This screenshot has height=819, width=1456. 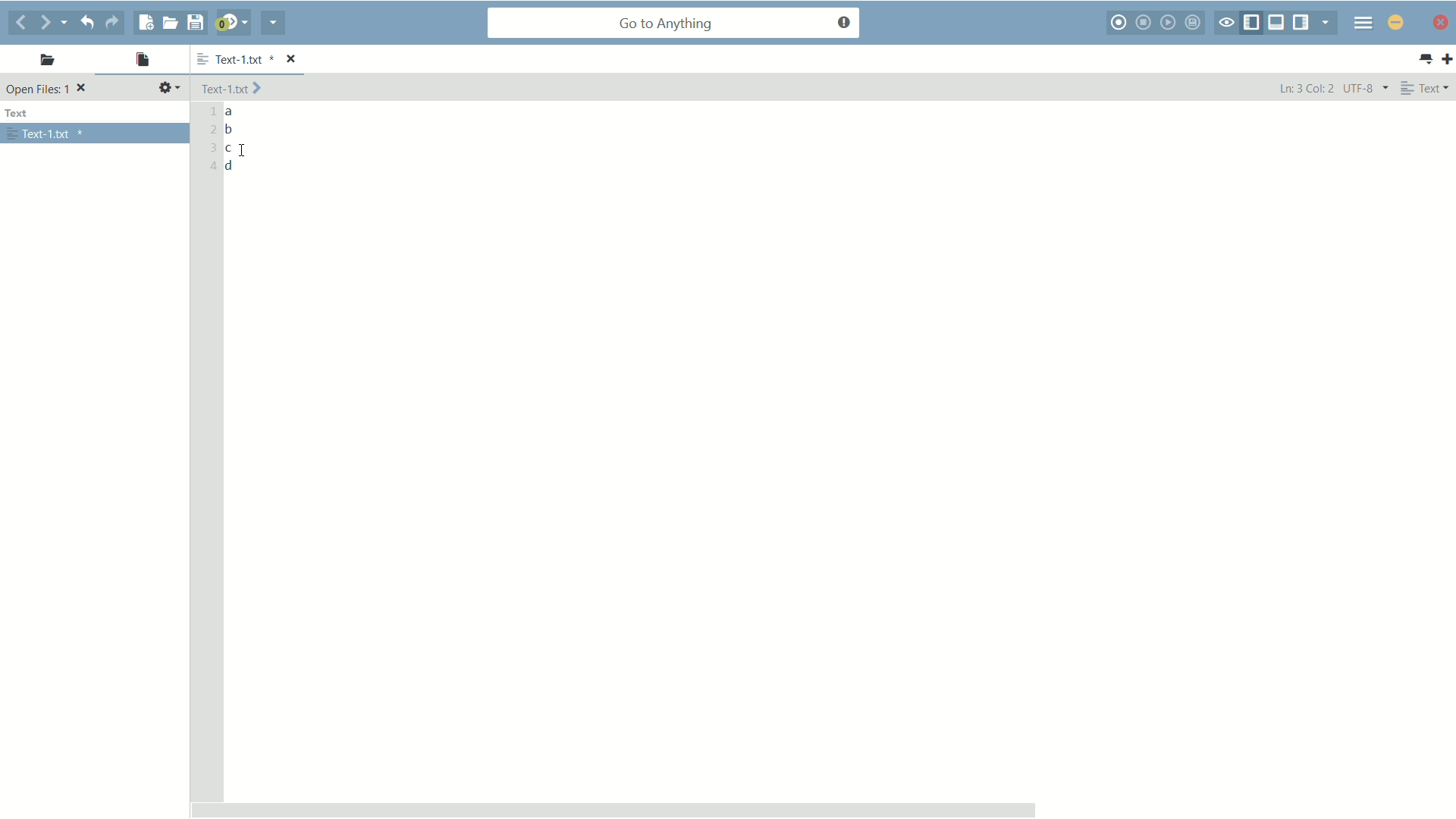 I want to click on Scroll bar, so click(x=818, y=805).